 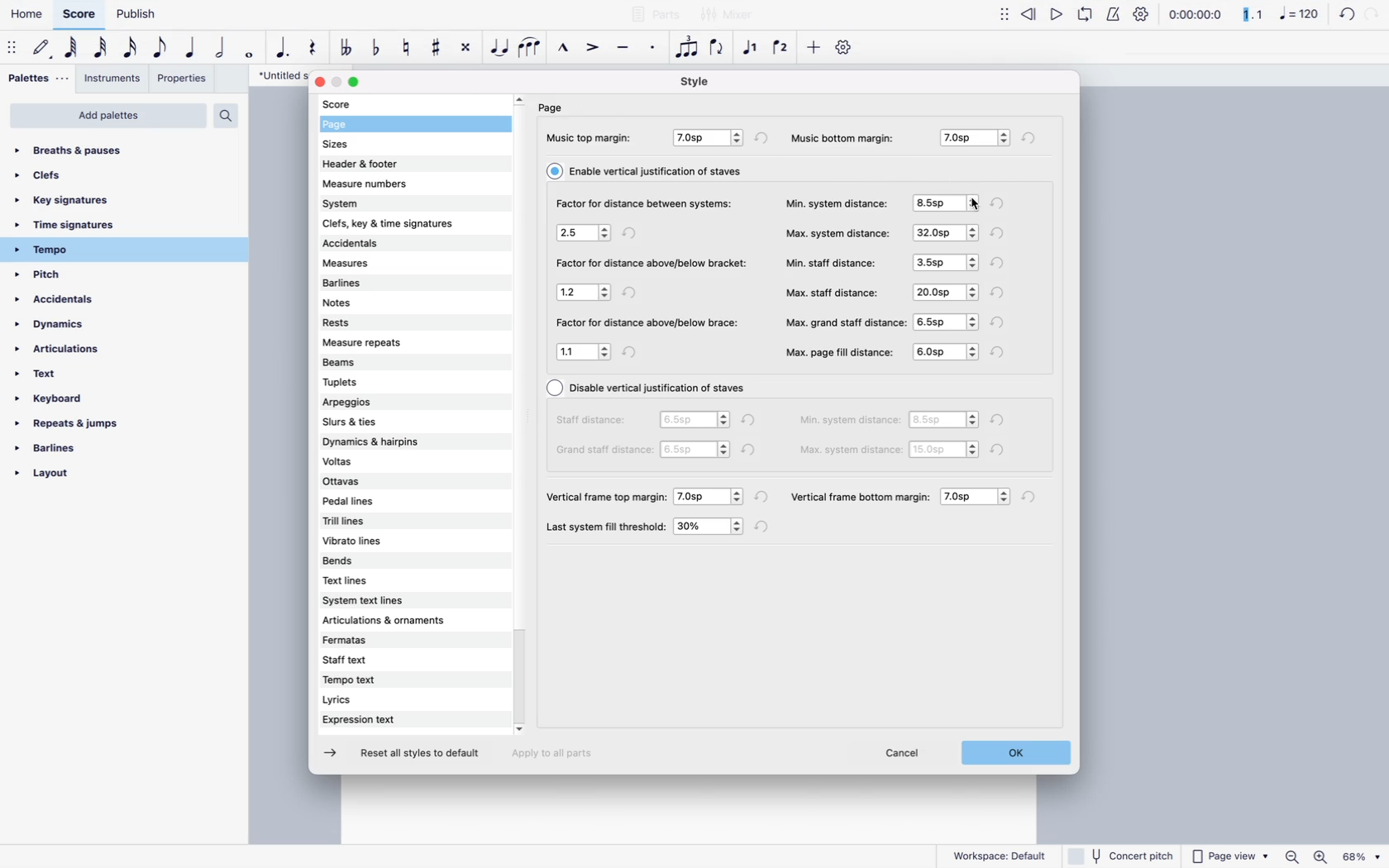 What do you see at coordinates (83, 147) in the screenshot?
I see `breaths & pauses` at bounding box center [83, 147].